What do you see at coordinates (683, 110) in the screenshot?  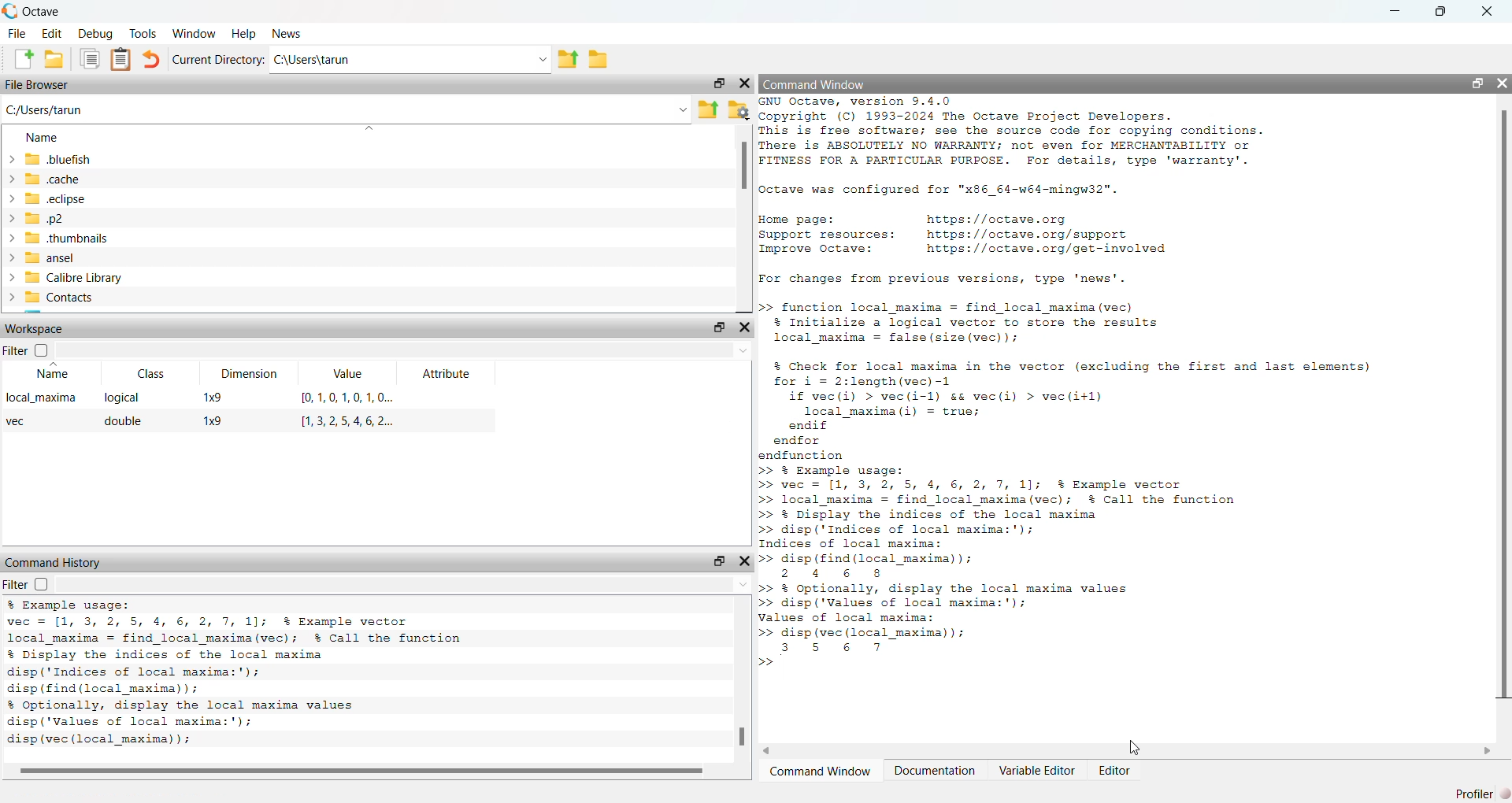 I see `Enter the path or filename` at bounding box center [683, 110].